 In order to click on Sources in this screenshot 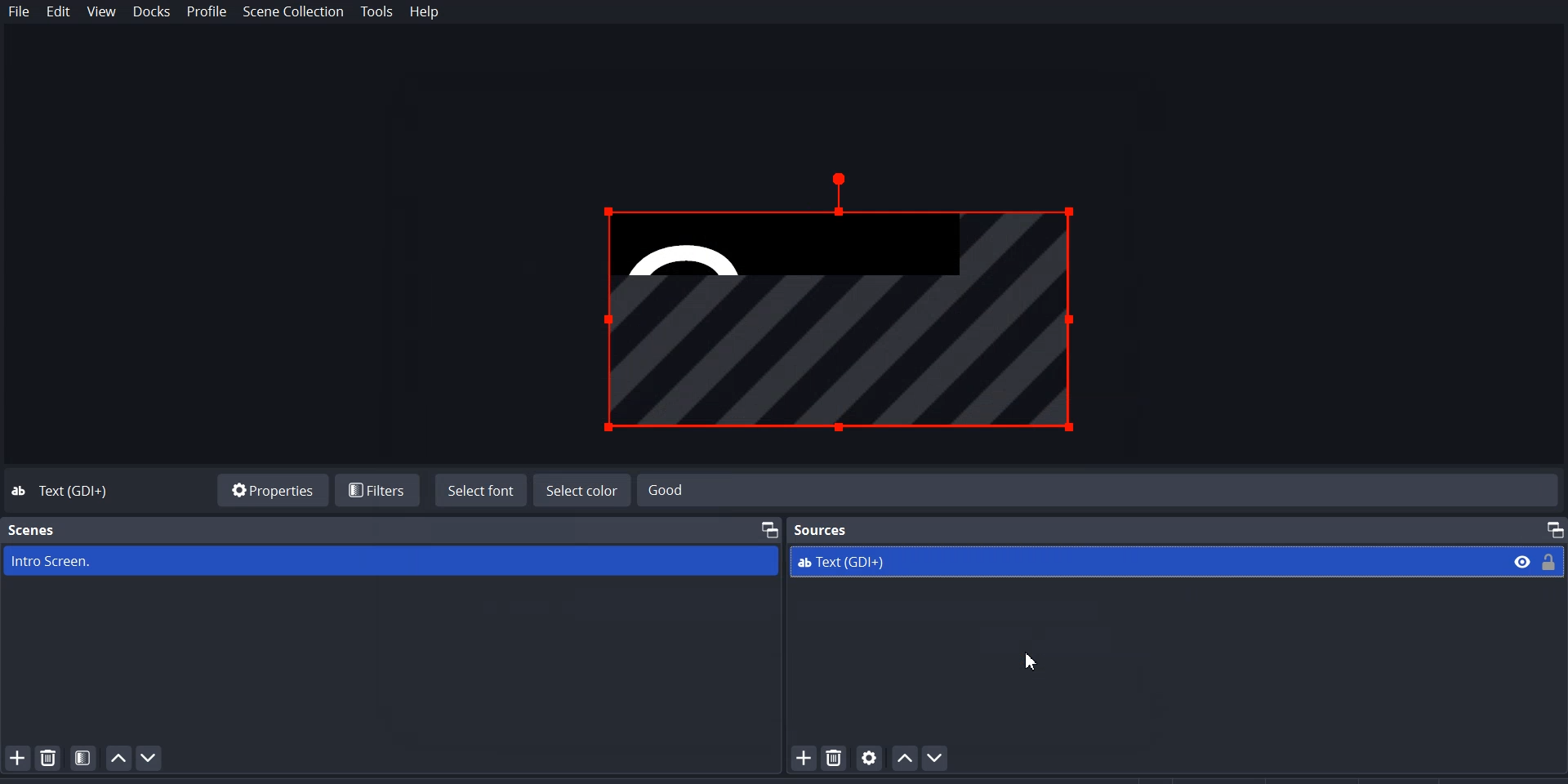, I will do `click(829, 528)`.